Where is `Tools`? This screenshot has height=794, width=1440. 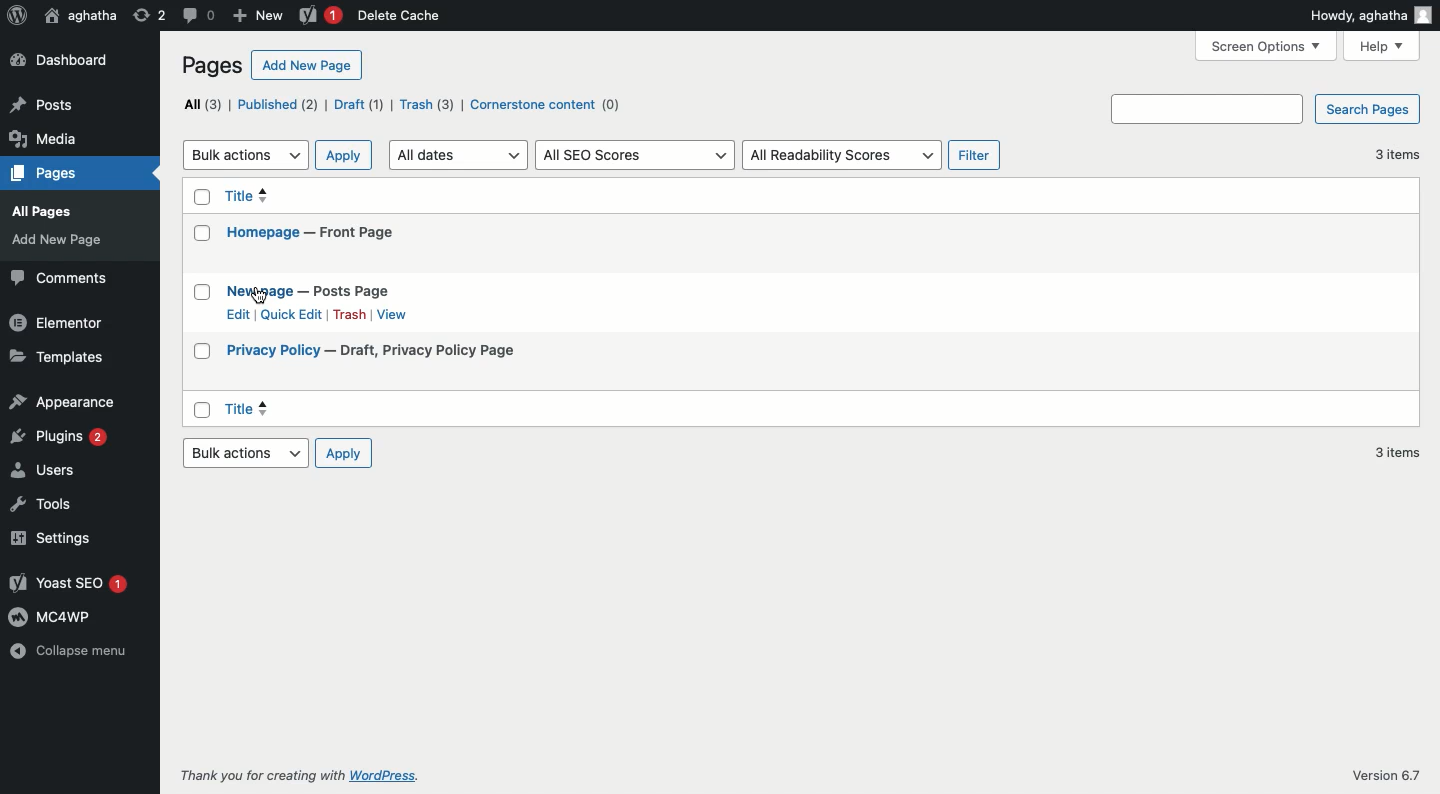
Tools is located at coordinates (69, 504).